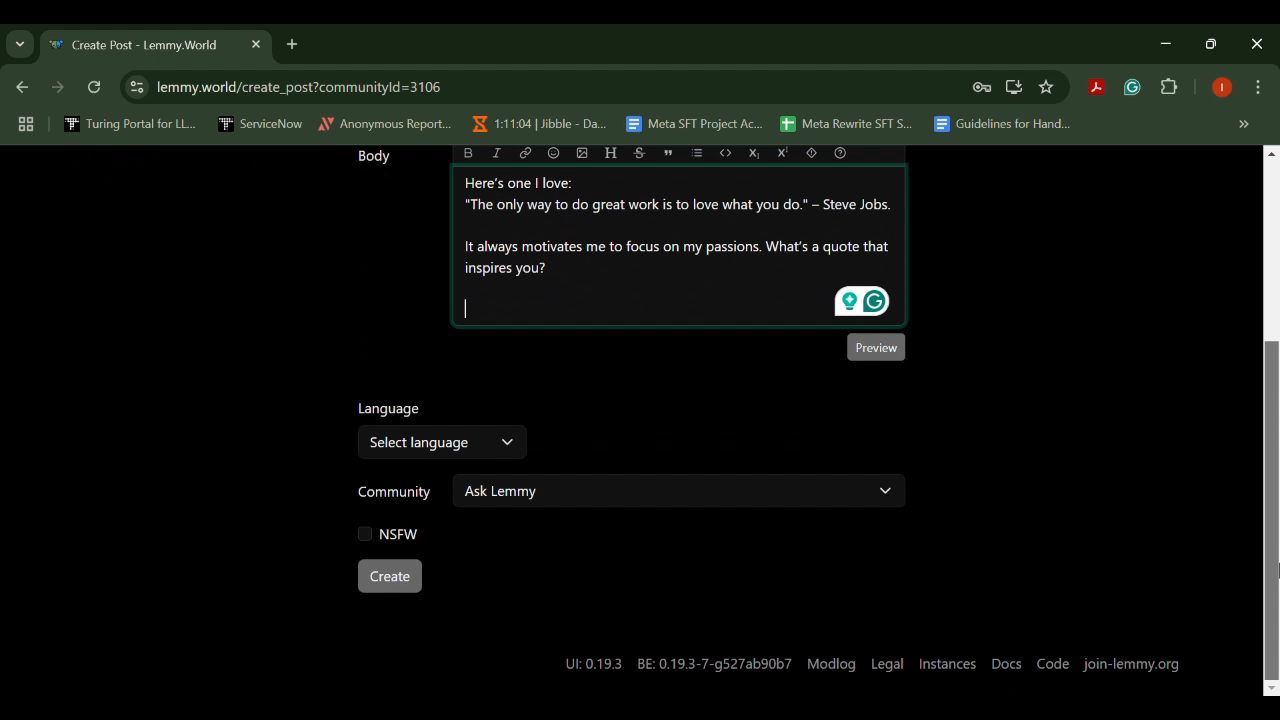 This screenshot has height=720, width=1280. Describe the element at coordinates (1013, 87) in the screenshot. I see `Install Desktop Application` at that location.